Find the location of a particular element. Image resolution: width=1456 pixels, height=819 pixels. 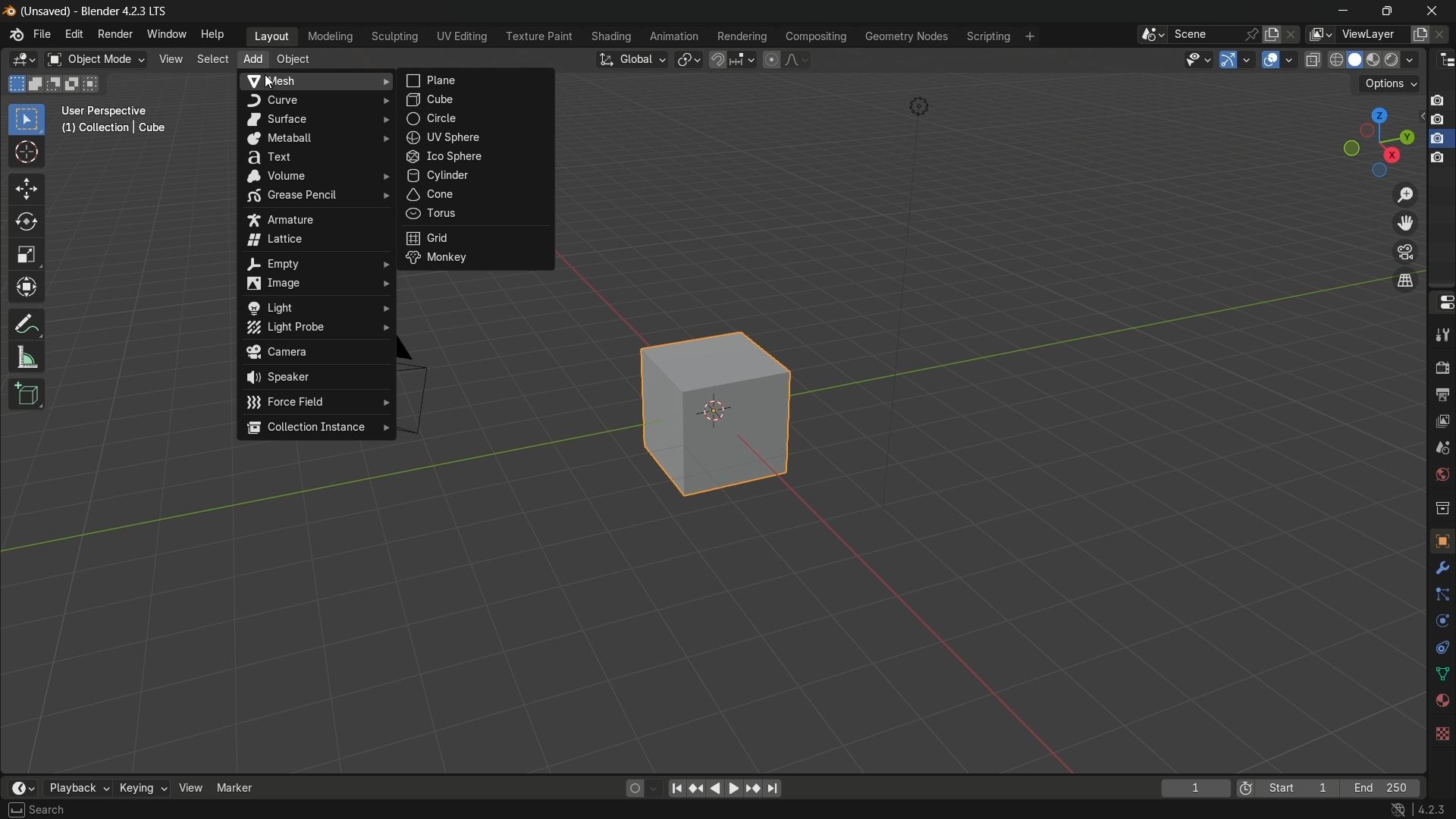

uv sphere is located at coordinates (479, 136).